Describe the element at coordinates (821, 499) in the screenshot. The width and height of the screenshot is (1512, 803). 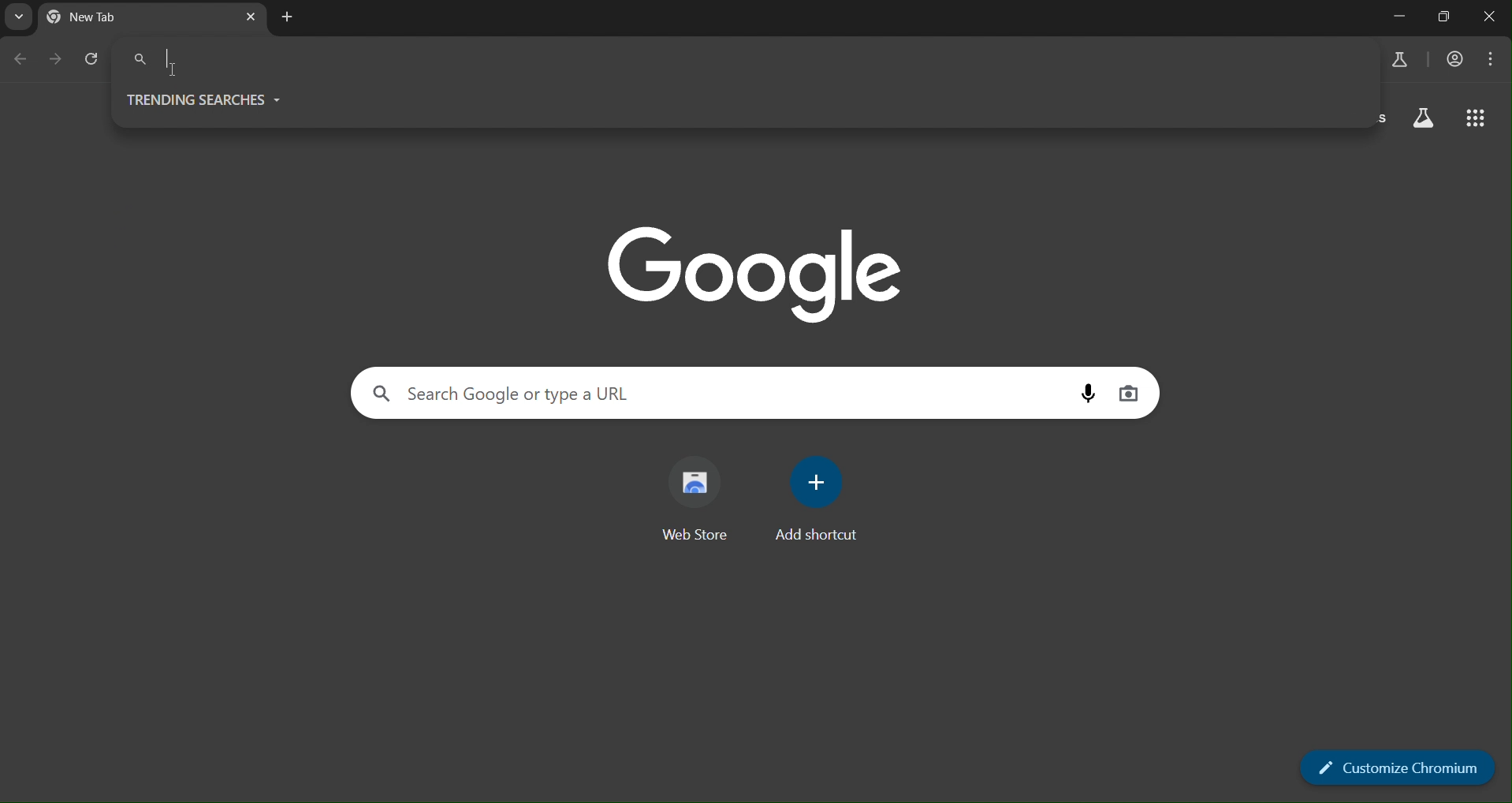
I see `add shortcut` at that location.